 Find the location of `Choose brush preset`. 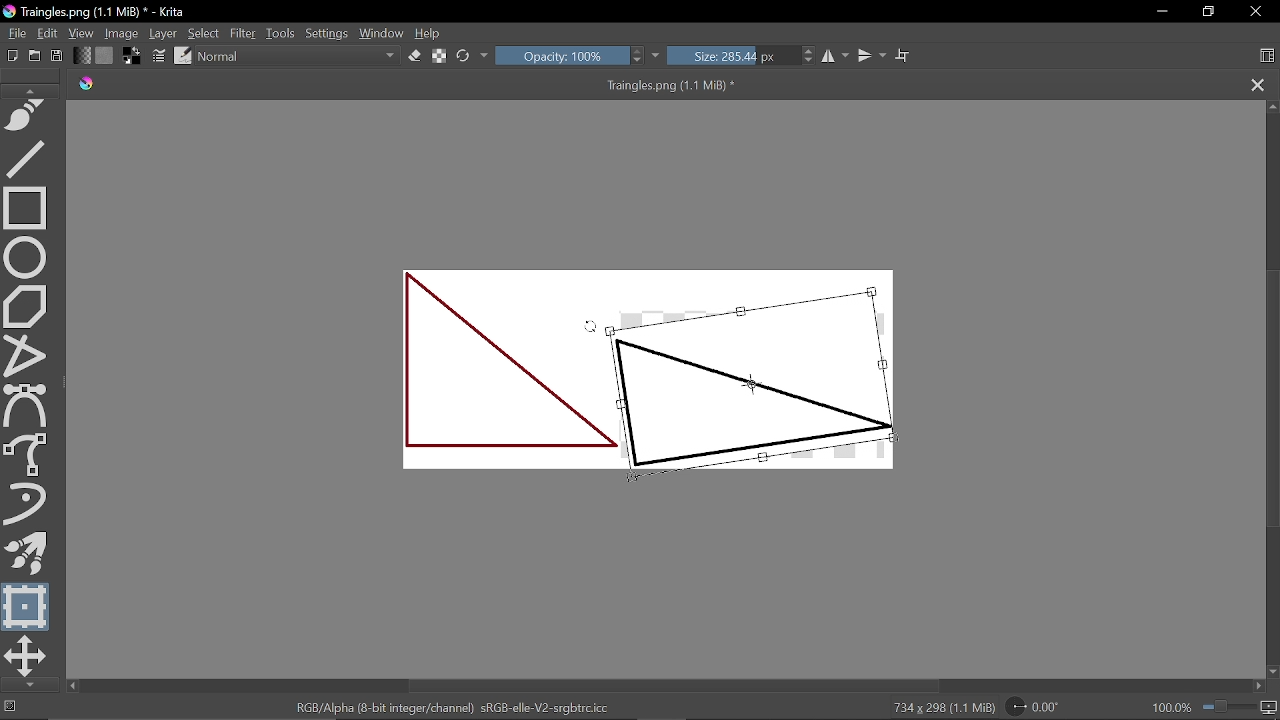

Choose brush preset is located at coordinates (183, 55).